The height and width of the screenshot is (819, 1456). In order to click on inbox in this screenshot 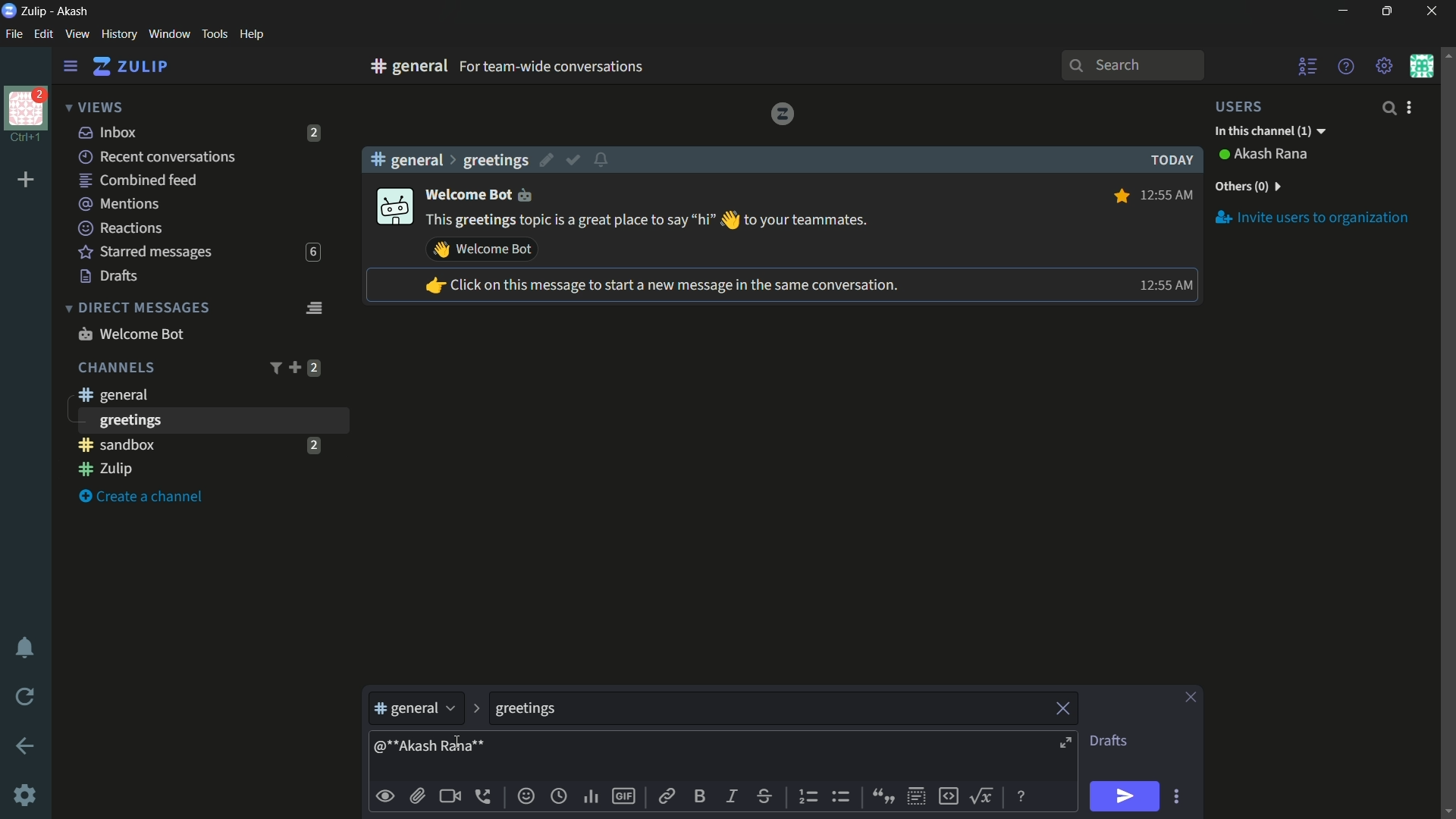, I will do `click(108, 132)`.